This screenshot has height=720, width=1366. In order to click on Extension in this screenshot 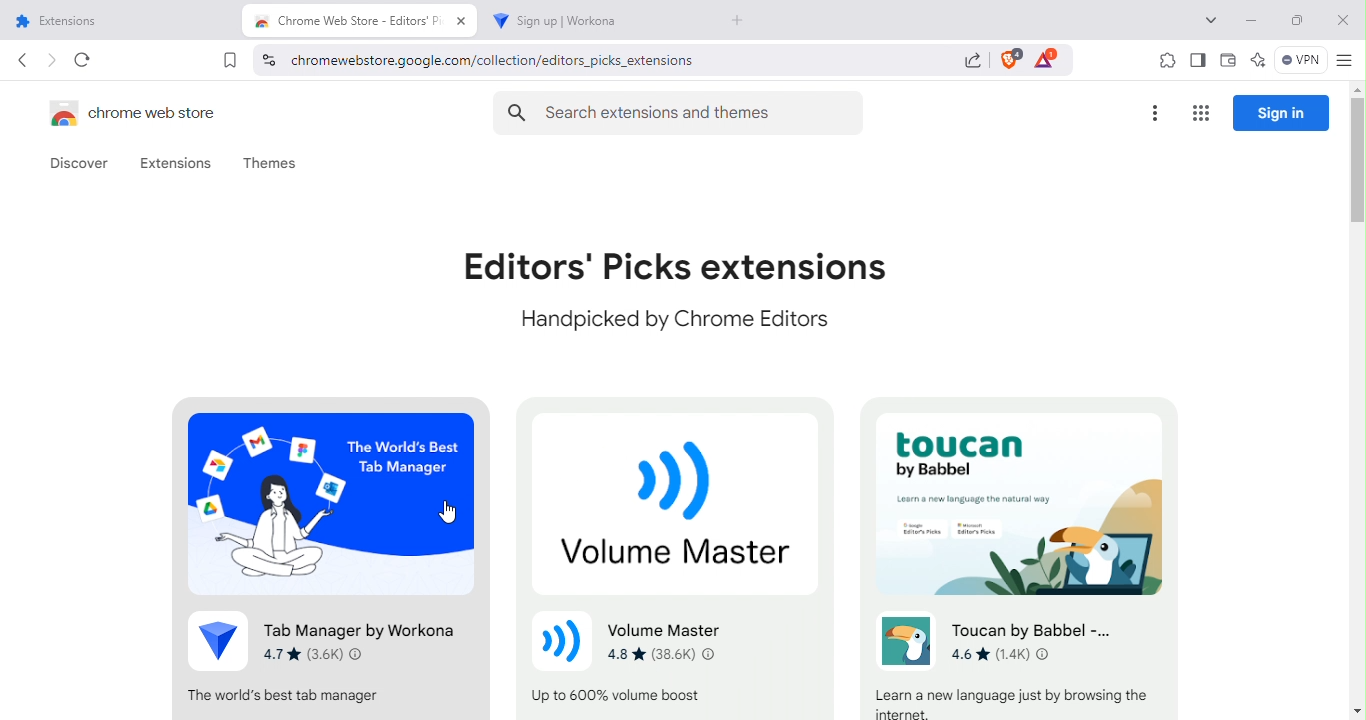, I will do `click(331, 556)`.